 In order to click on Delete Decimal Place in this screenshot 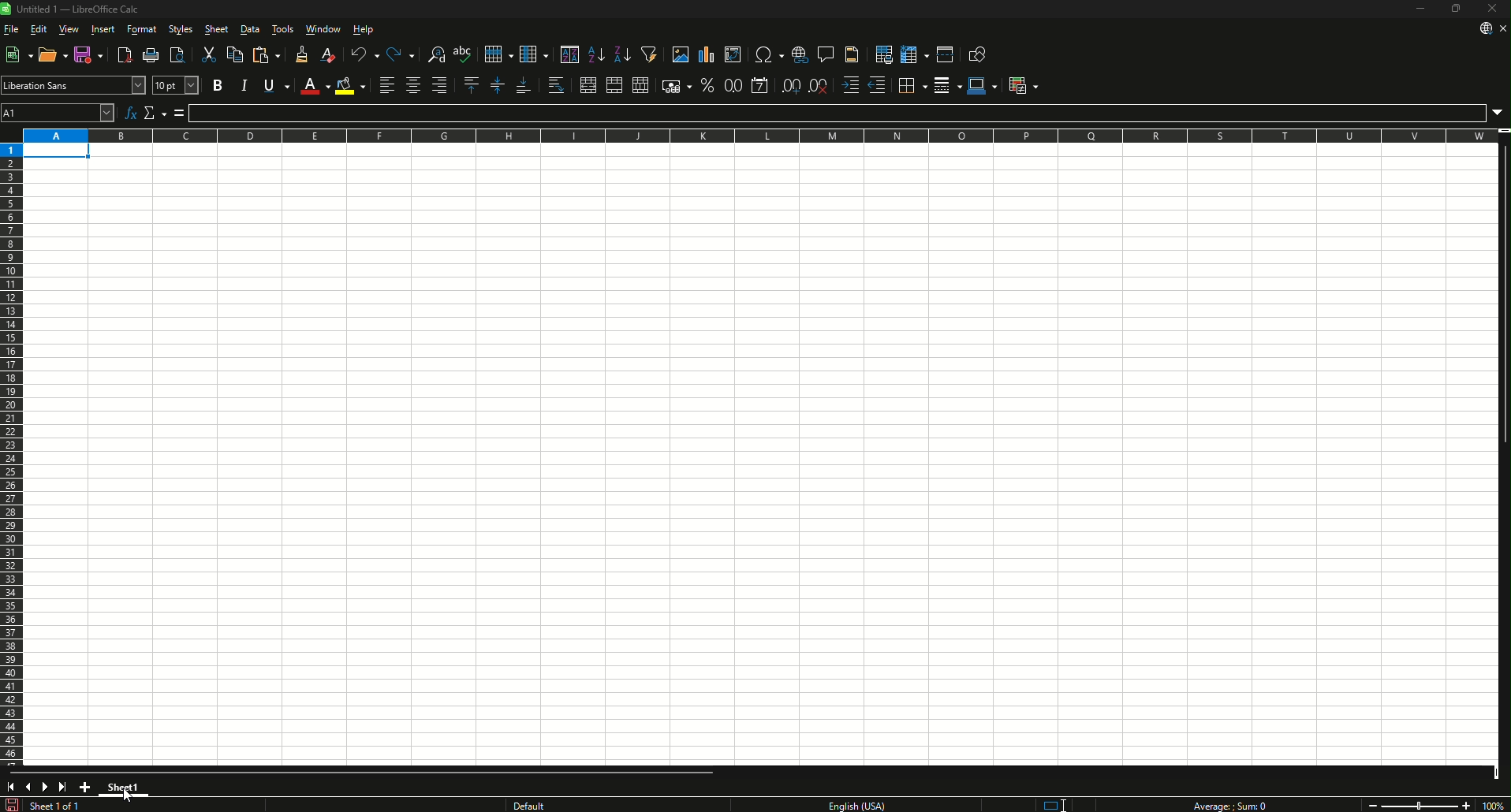, I will do `click(819, 85)`.